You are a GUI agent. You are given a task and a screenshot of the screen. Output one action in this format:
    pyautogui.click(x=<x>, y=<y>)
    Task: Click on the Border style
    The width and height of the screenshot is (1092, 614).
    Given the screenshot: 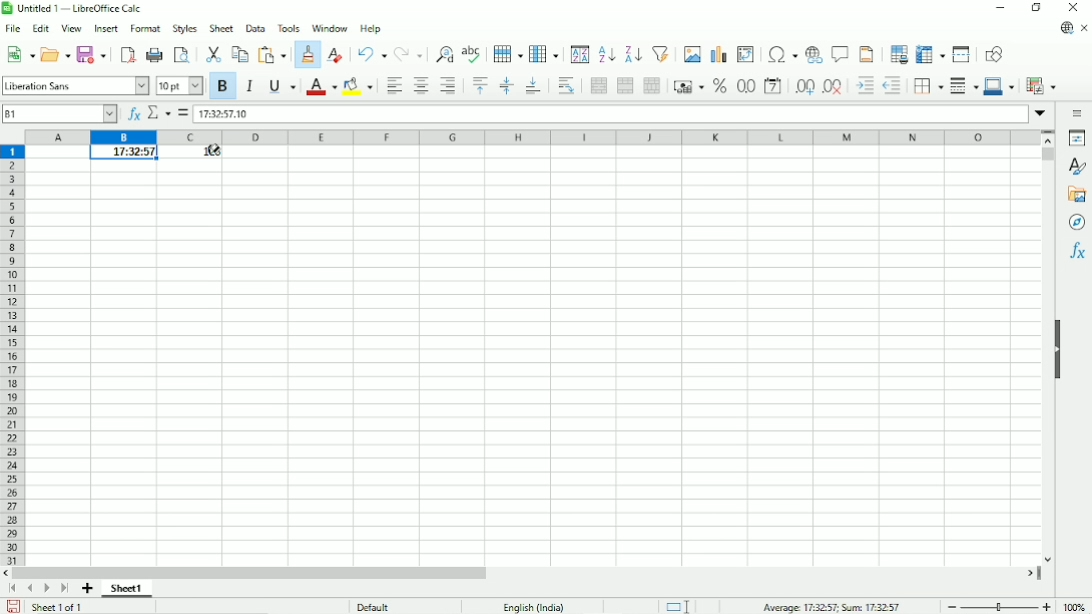 What is the action you would take?
    pyautogui.click(x=963, y=87)
    